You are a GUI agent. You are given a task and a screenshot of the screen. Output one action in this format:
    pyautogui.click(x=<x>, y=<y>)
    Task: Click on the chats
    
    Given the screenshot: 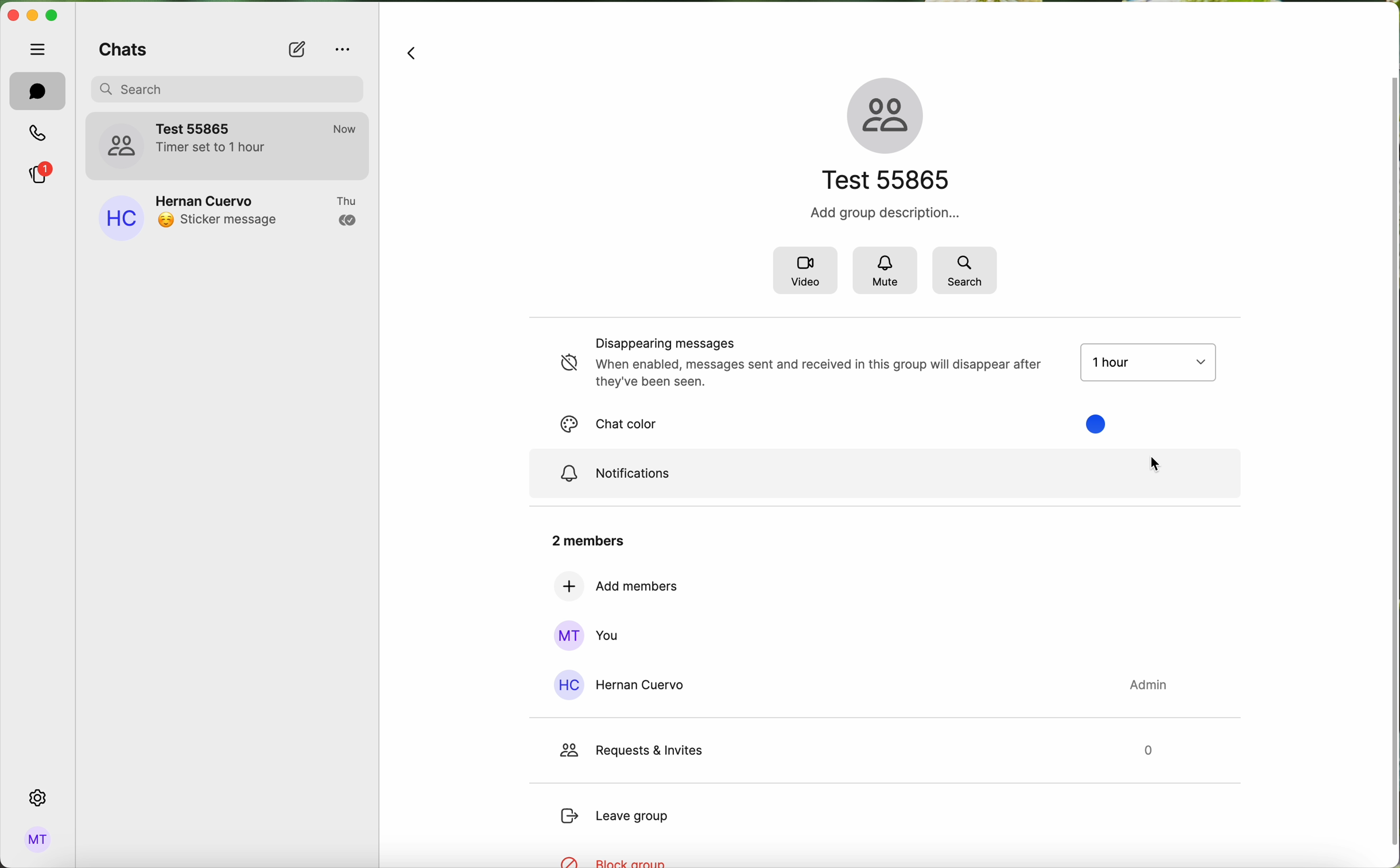 What is the action you would take?
    pyautogui.click(x=120, y=49)
    